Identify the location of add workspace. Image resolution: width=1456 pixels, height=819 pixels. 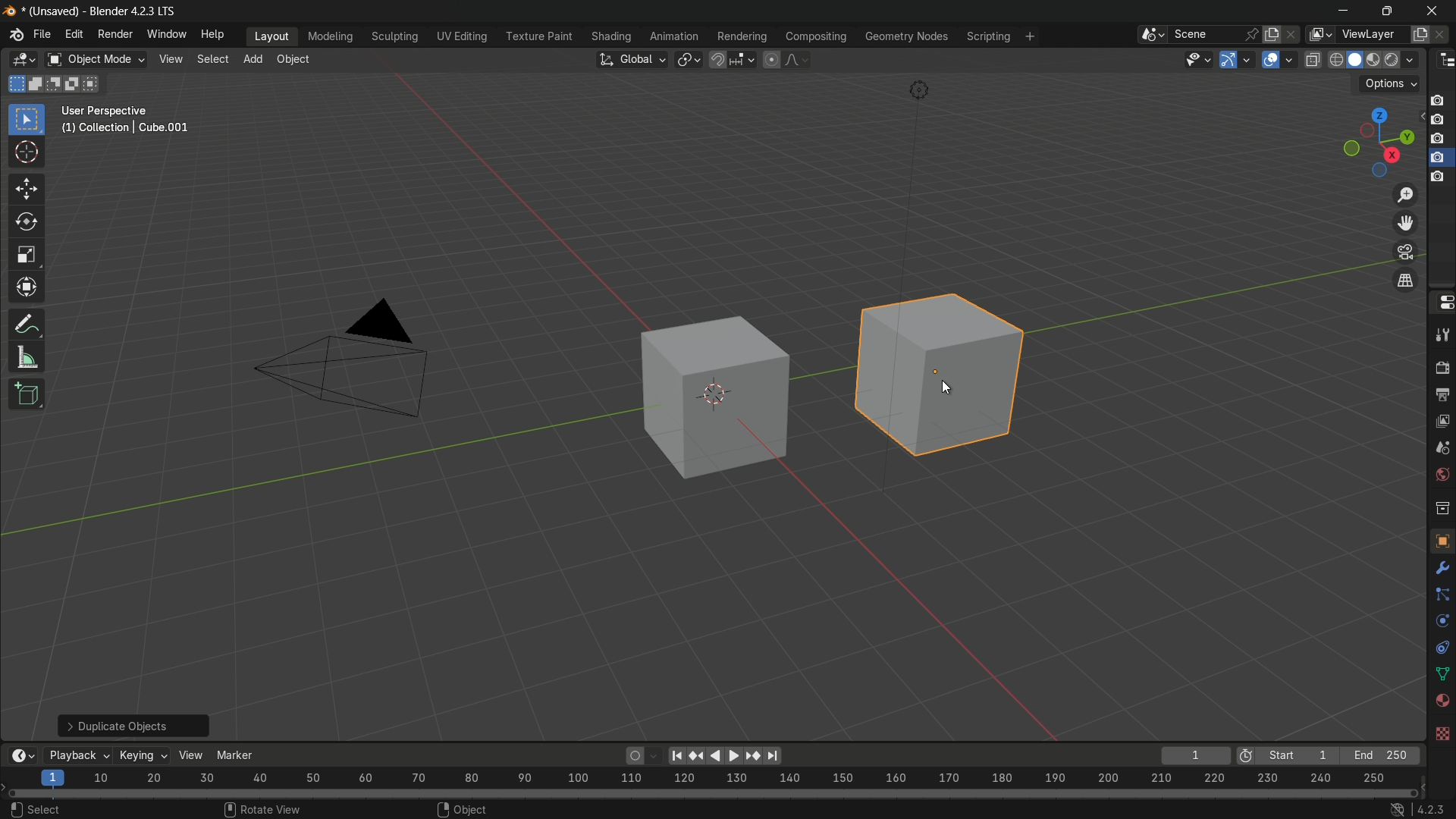
(1028, 36).